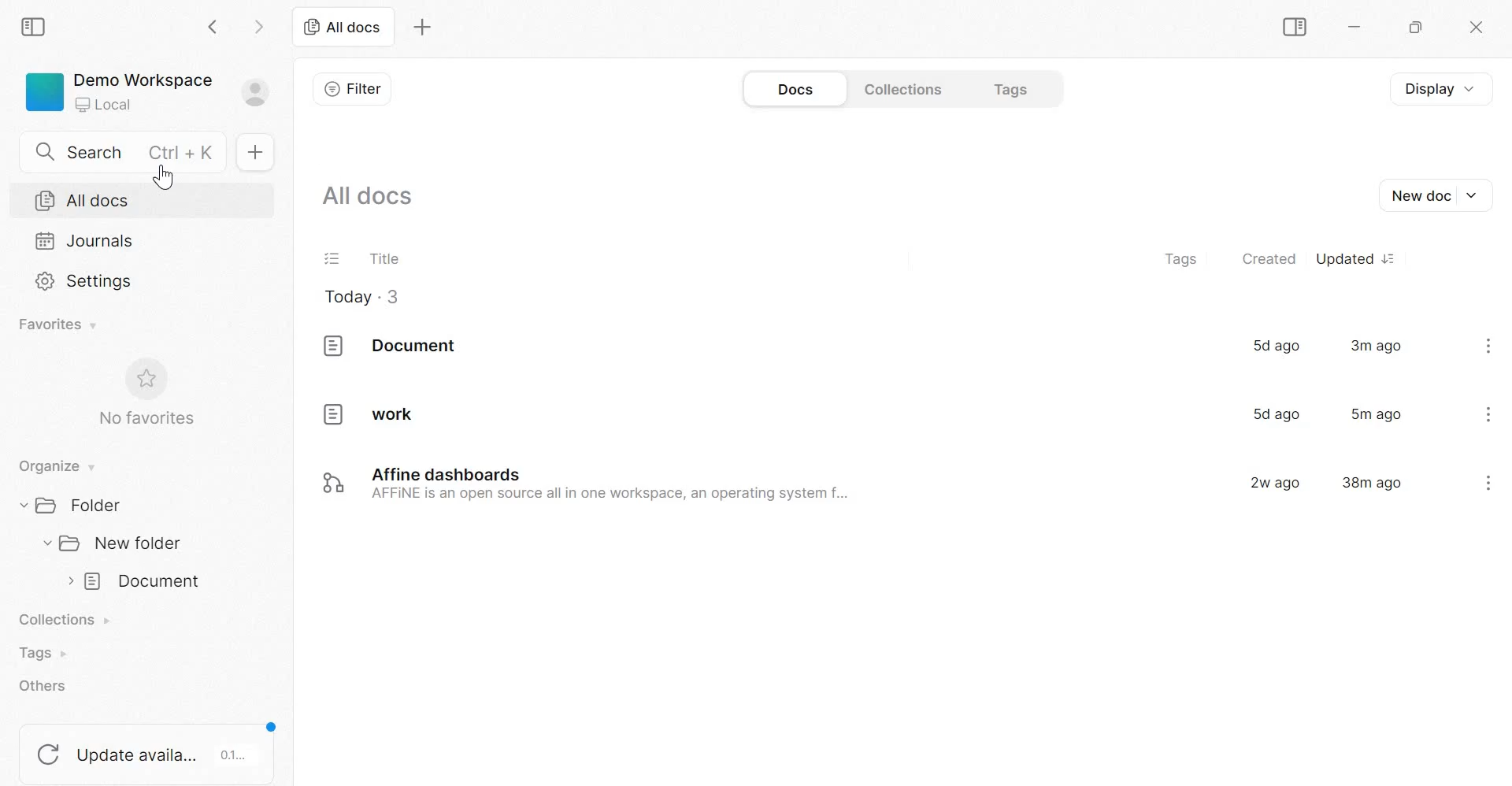 This screenshot has width=1512, height=786. I want to click on minimize, so click(1362, 30).